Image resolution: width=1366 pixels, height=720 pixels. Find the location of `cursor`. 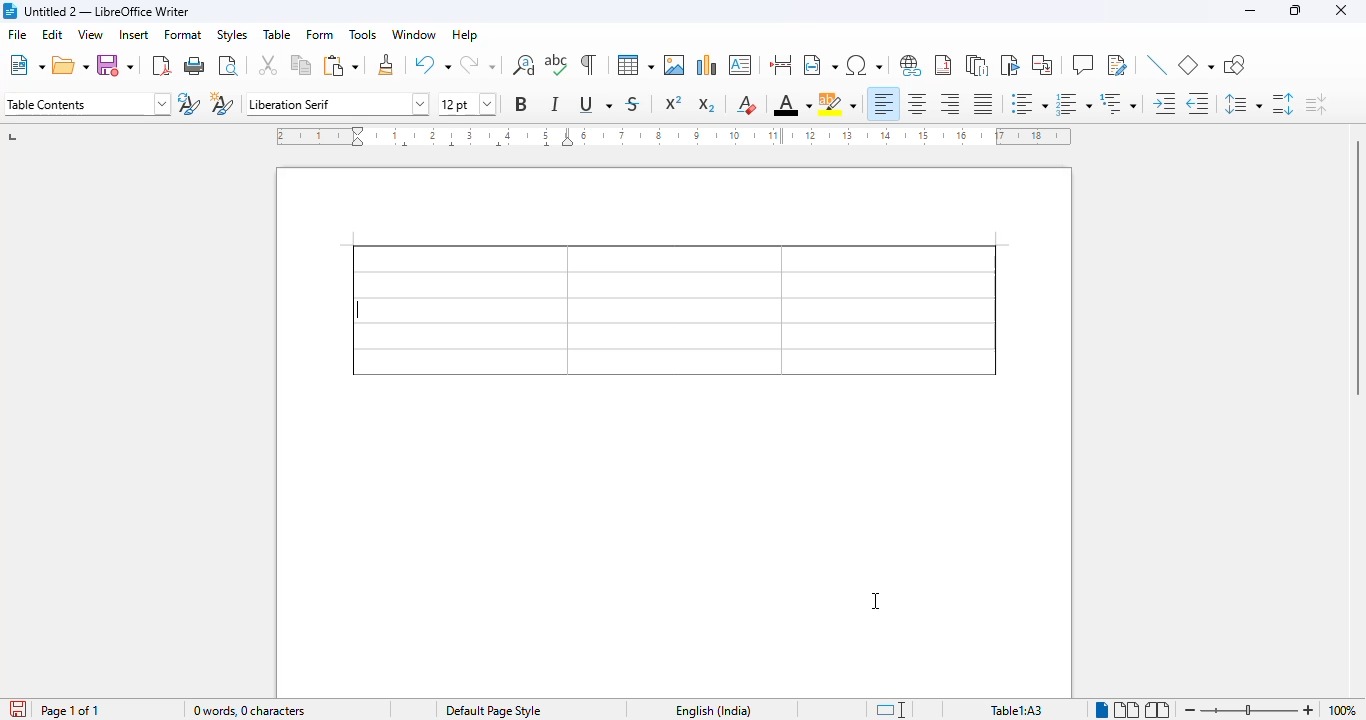

cursor is located at coordinates (875, 601).